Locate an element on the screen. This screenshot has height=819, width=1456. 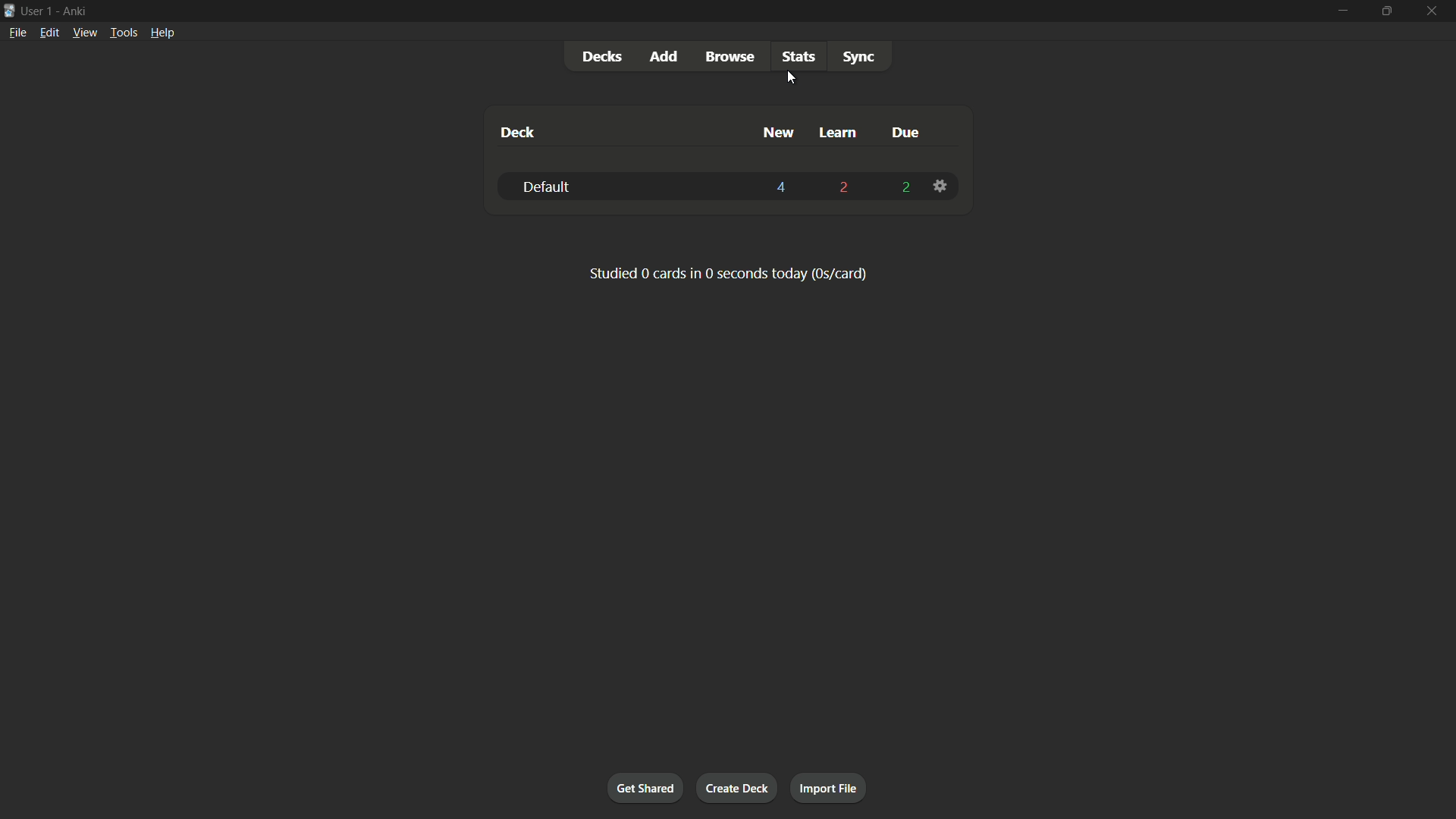
help menu is located at coordinates (164, 33).